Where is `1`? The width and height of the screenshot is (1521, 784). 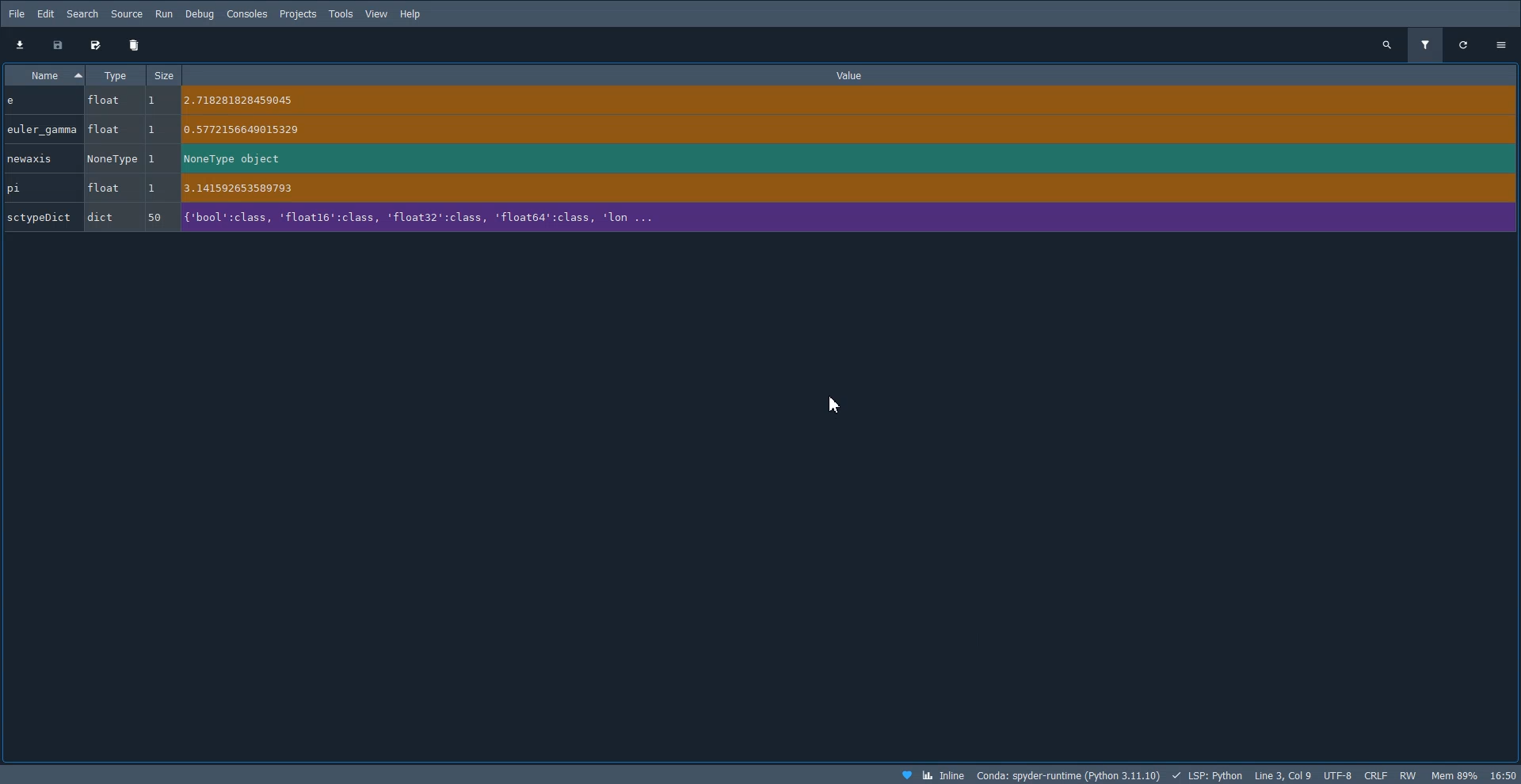 1 is located at coordinates (151, 128).